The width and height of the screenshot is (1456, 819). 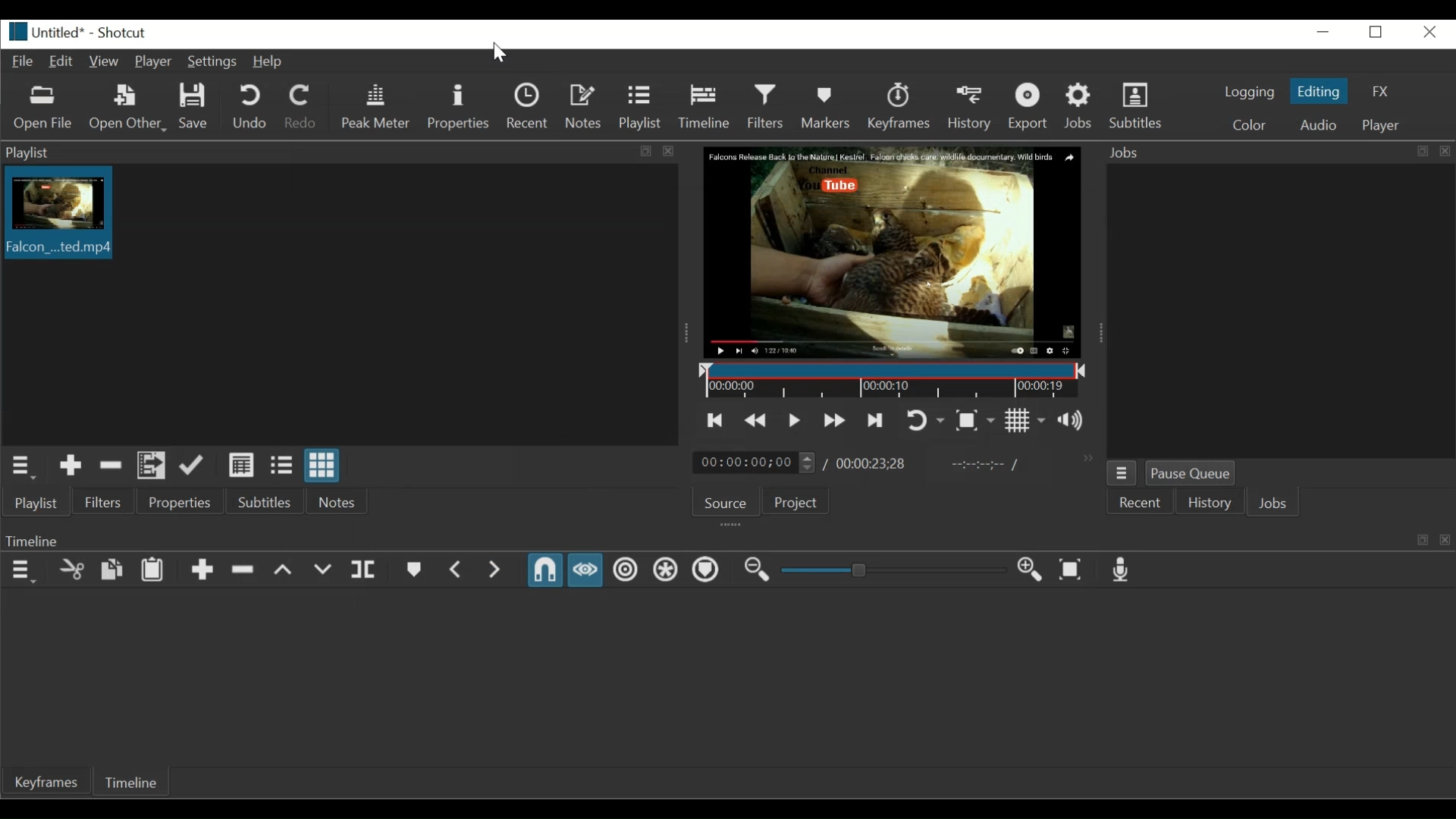 I want to click on Create or edit marker, so click(x=416, y=569).